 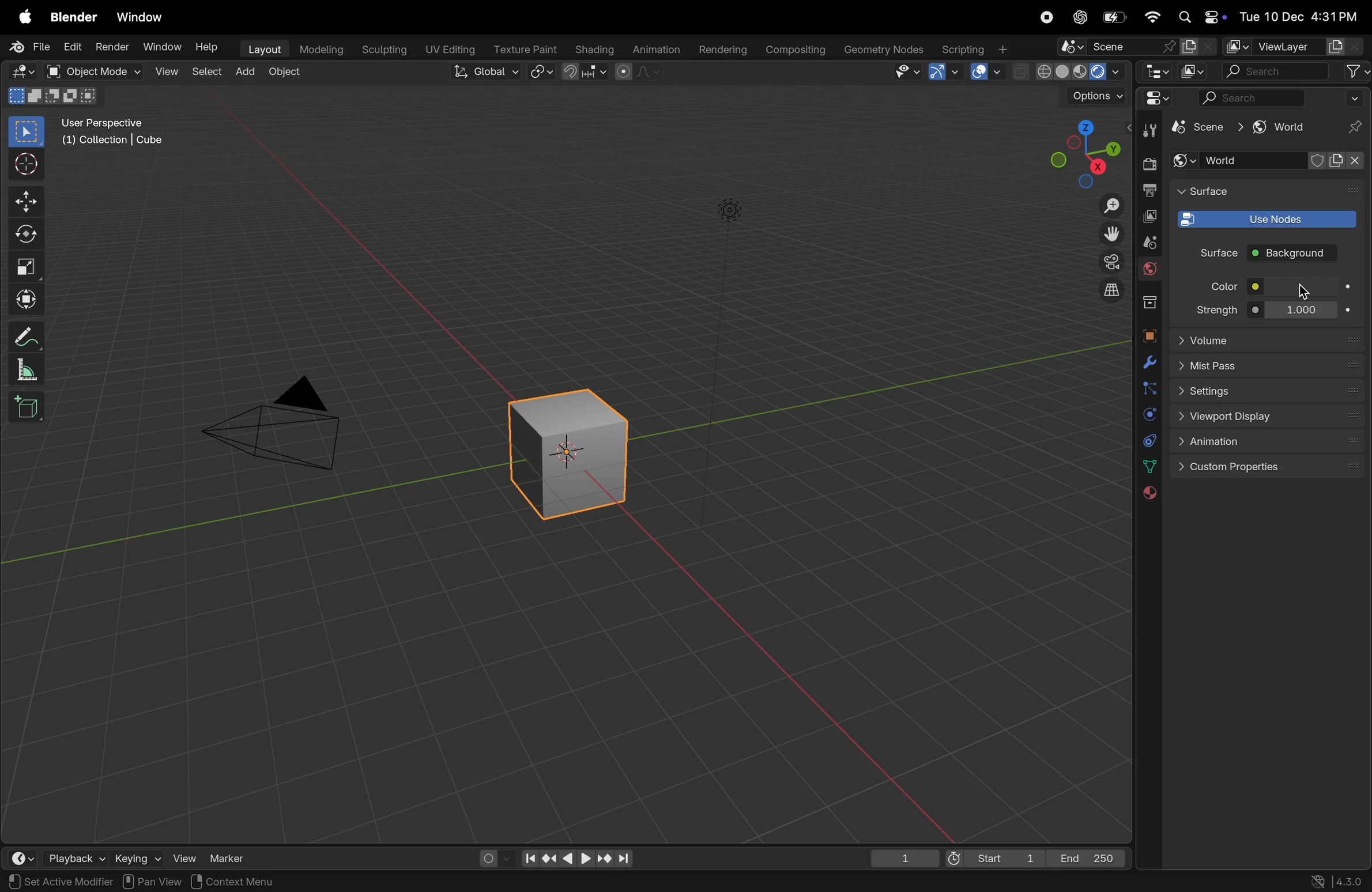 What do you see at coordinates (1269, 417) in the screenshot?
I see `view port display` at bounding box center [1269, 417].